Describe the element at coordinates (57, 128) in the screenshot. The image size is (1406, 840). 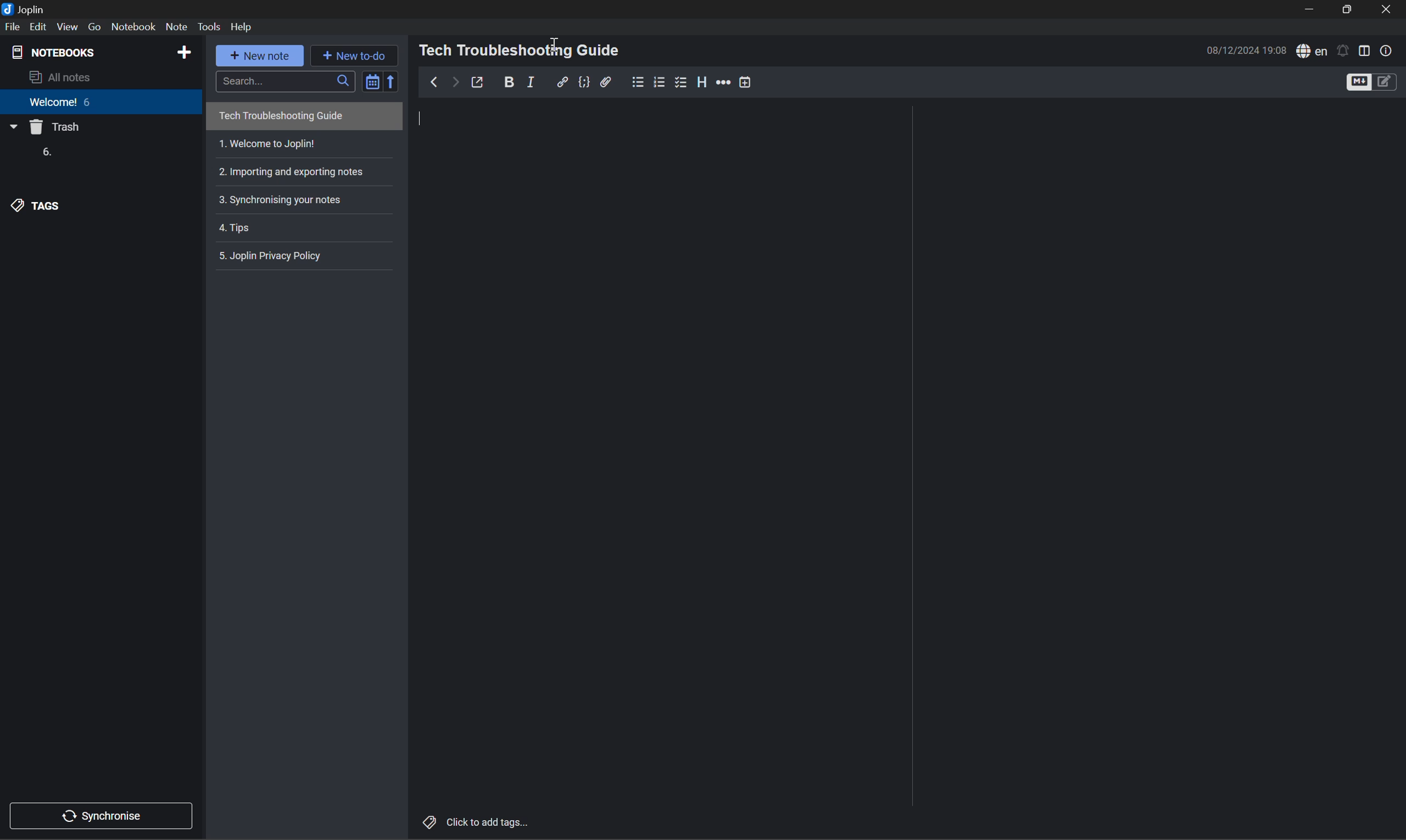
I see `Trash` at that location.